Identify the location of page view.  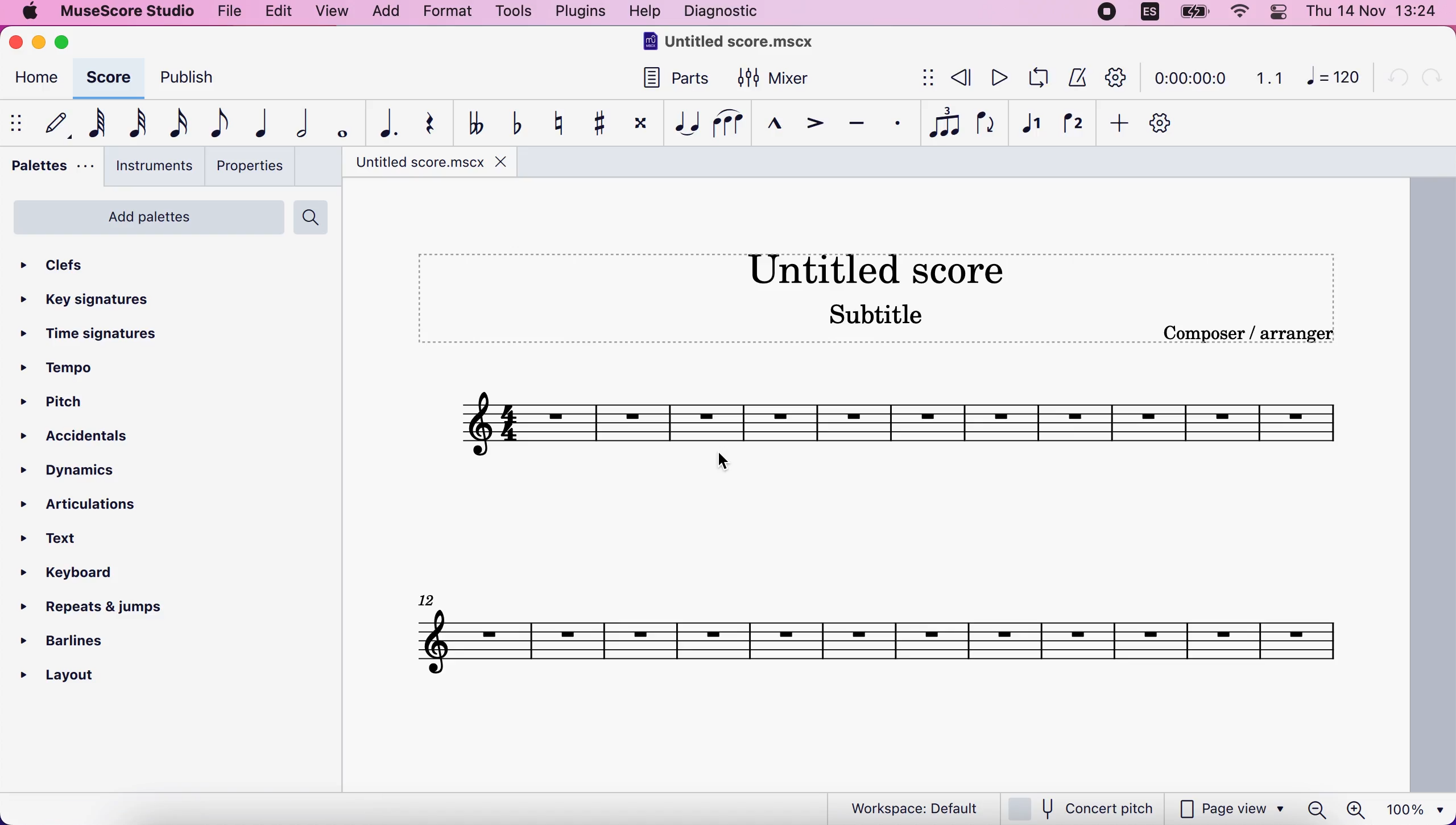
(1232, 808).